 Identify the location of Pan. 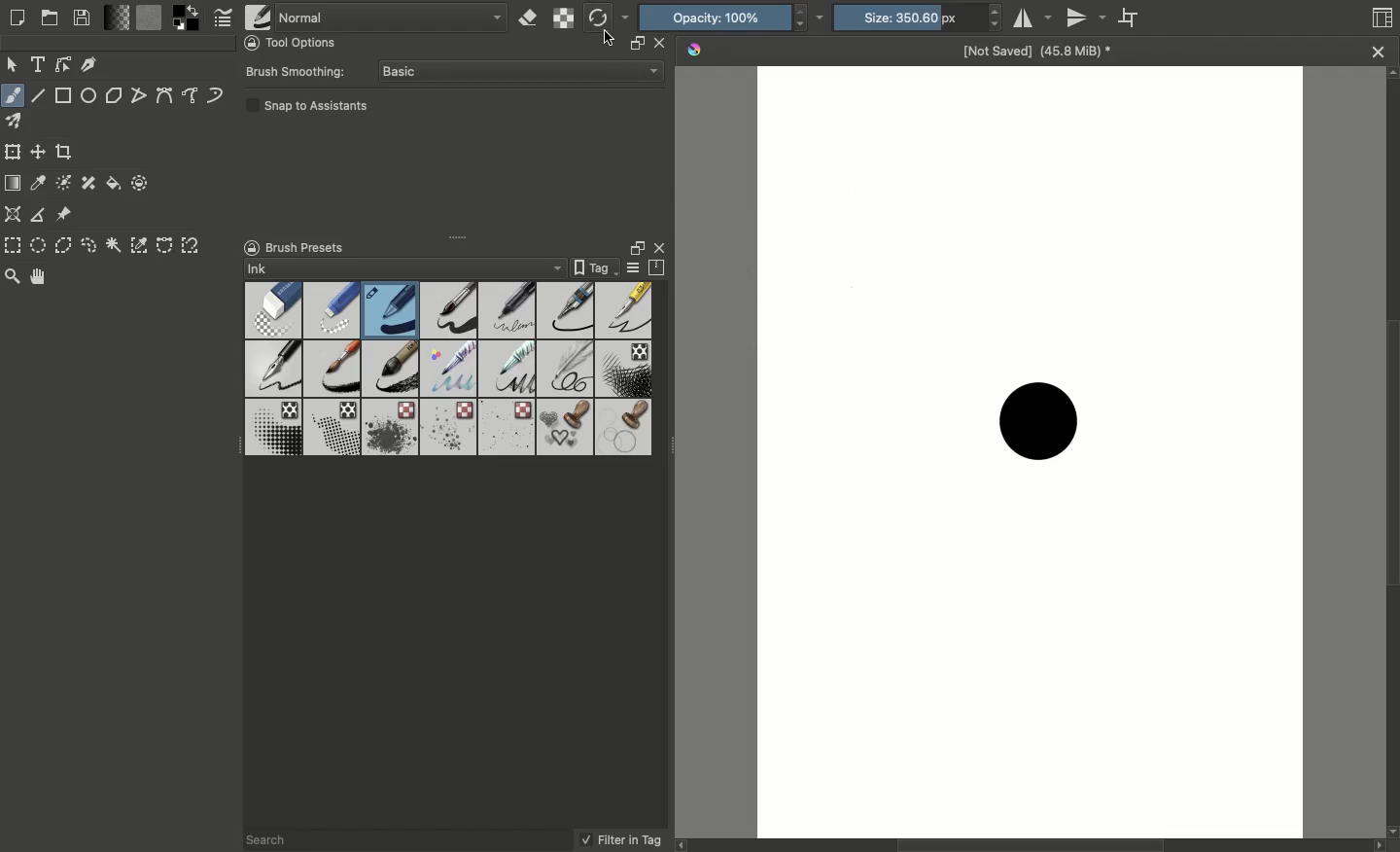
(45, 277).